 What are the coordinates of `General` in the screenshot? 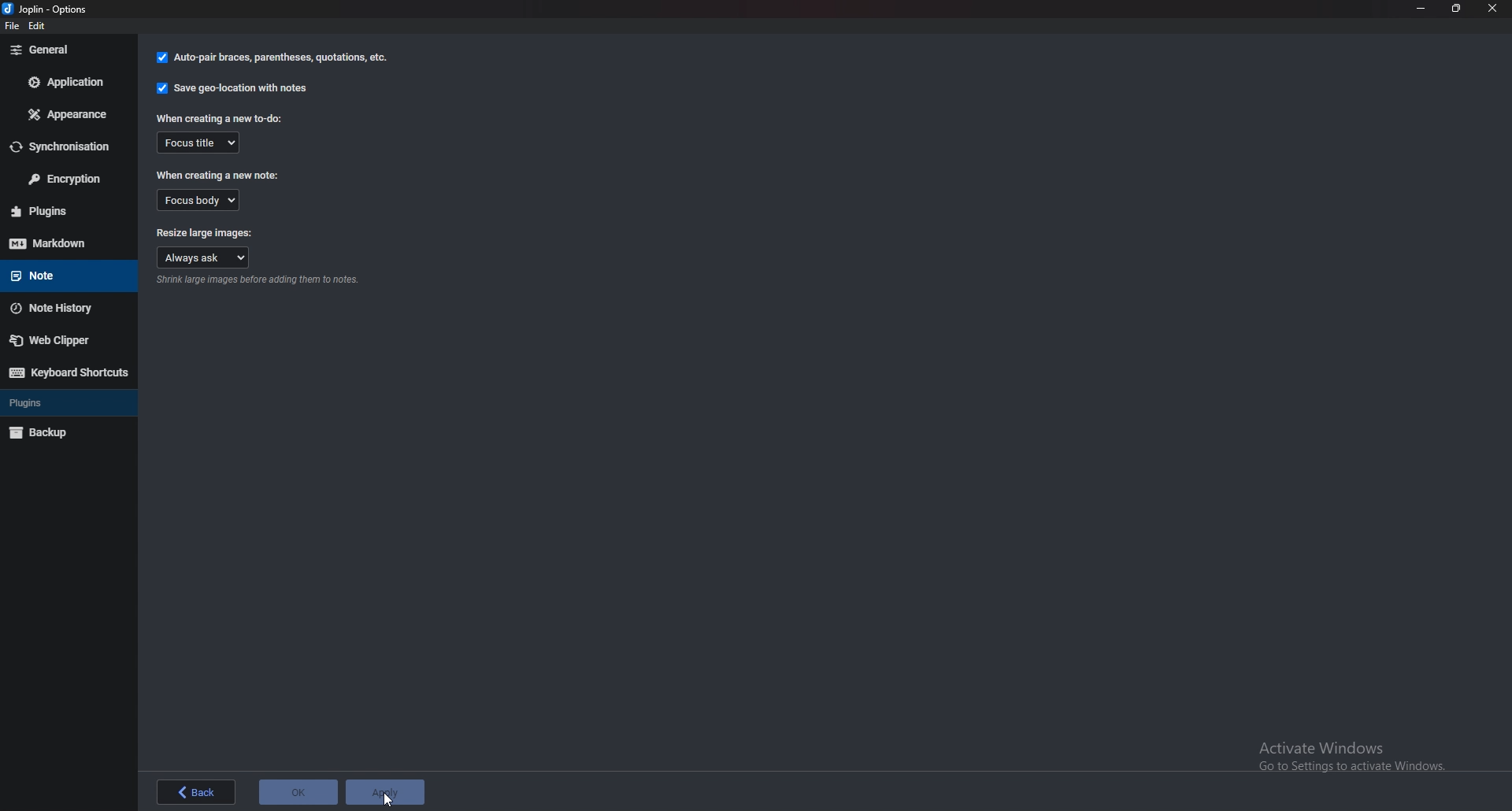 It's located at (61, 50).